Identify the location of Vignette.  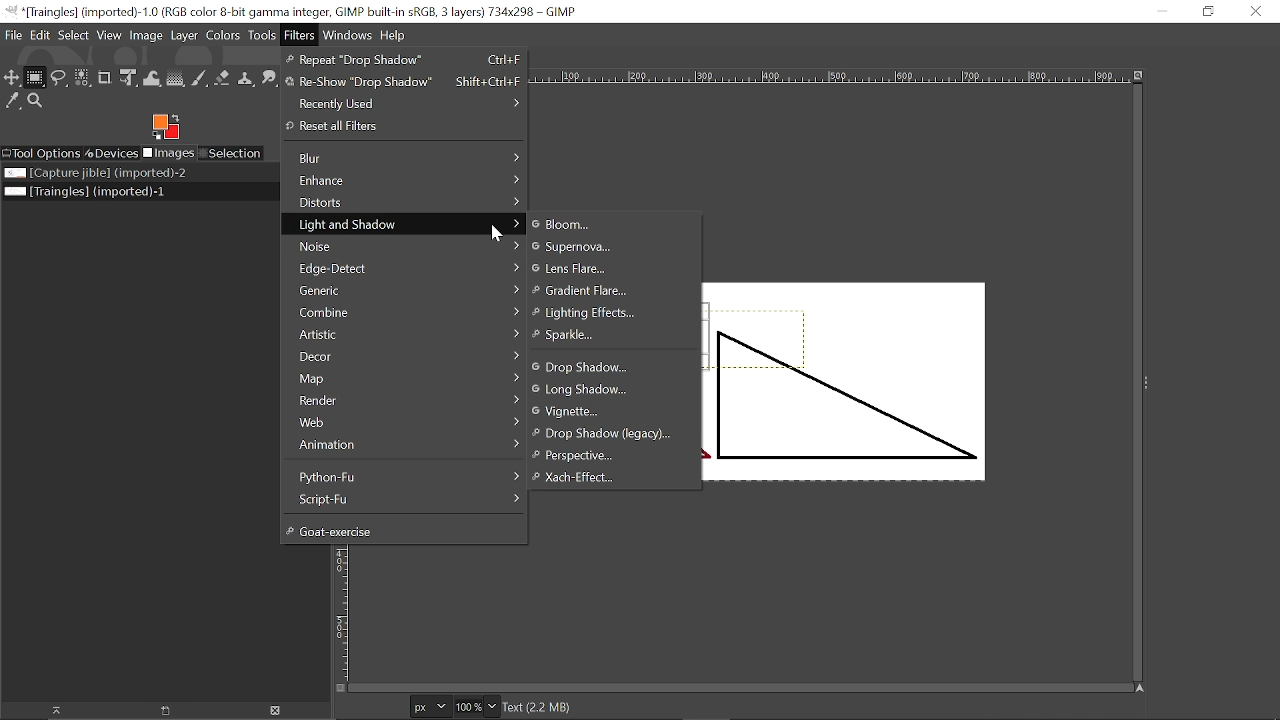
(605, 413).